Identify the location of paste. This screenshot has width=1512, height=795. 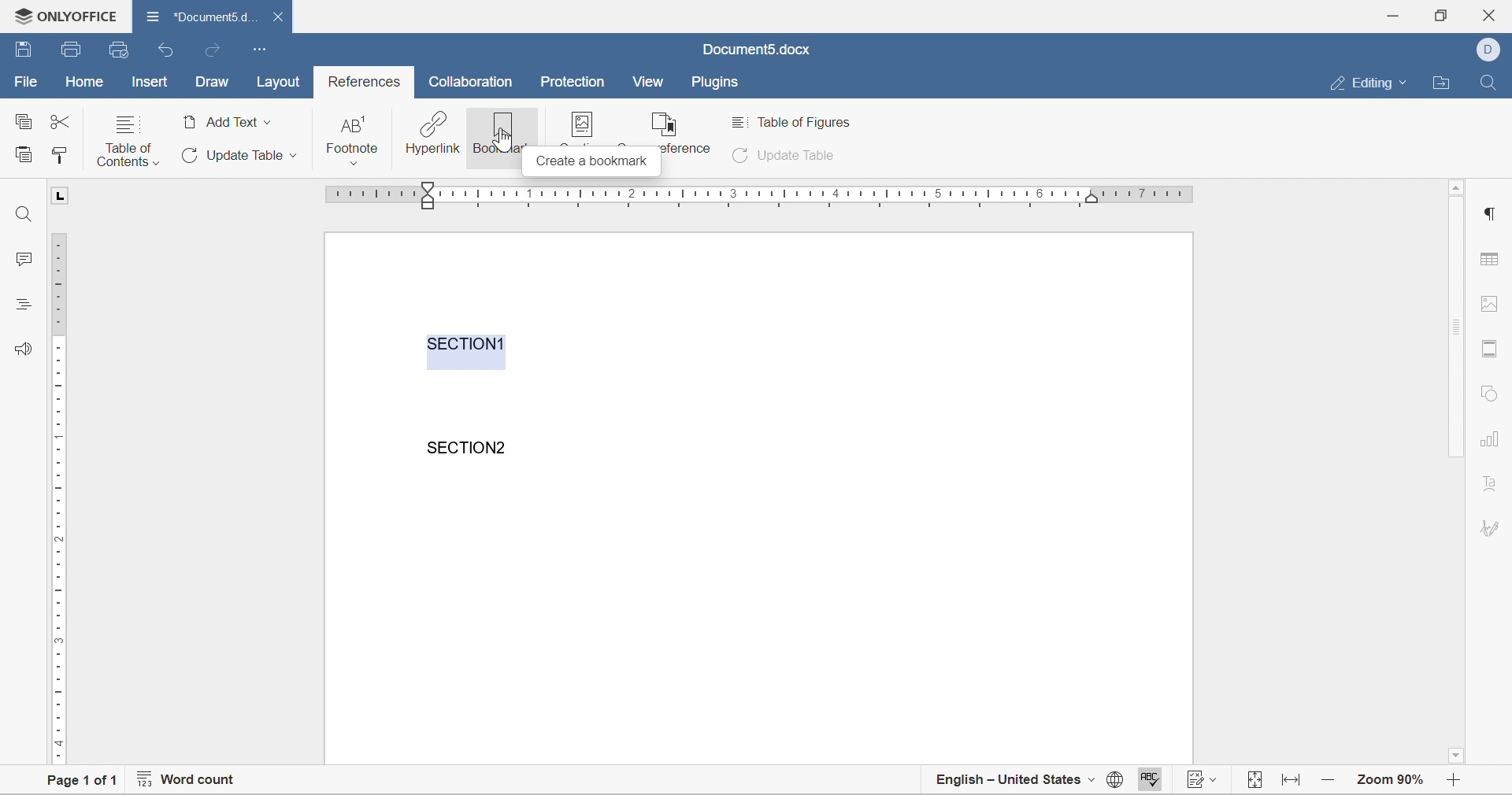
(24, 153).